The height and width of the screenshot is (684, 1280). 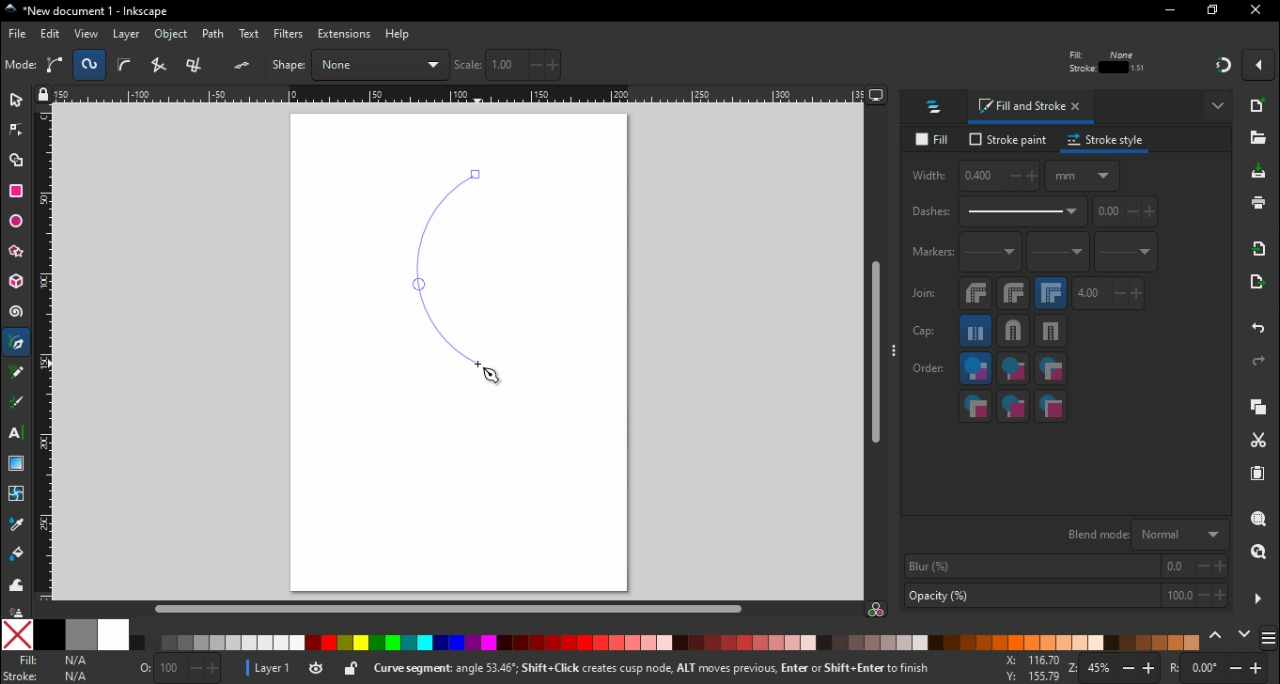 I want to click on create a sequence of straight line segments, so click(x=162, y=65).